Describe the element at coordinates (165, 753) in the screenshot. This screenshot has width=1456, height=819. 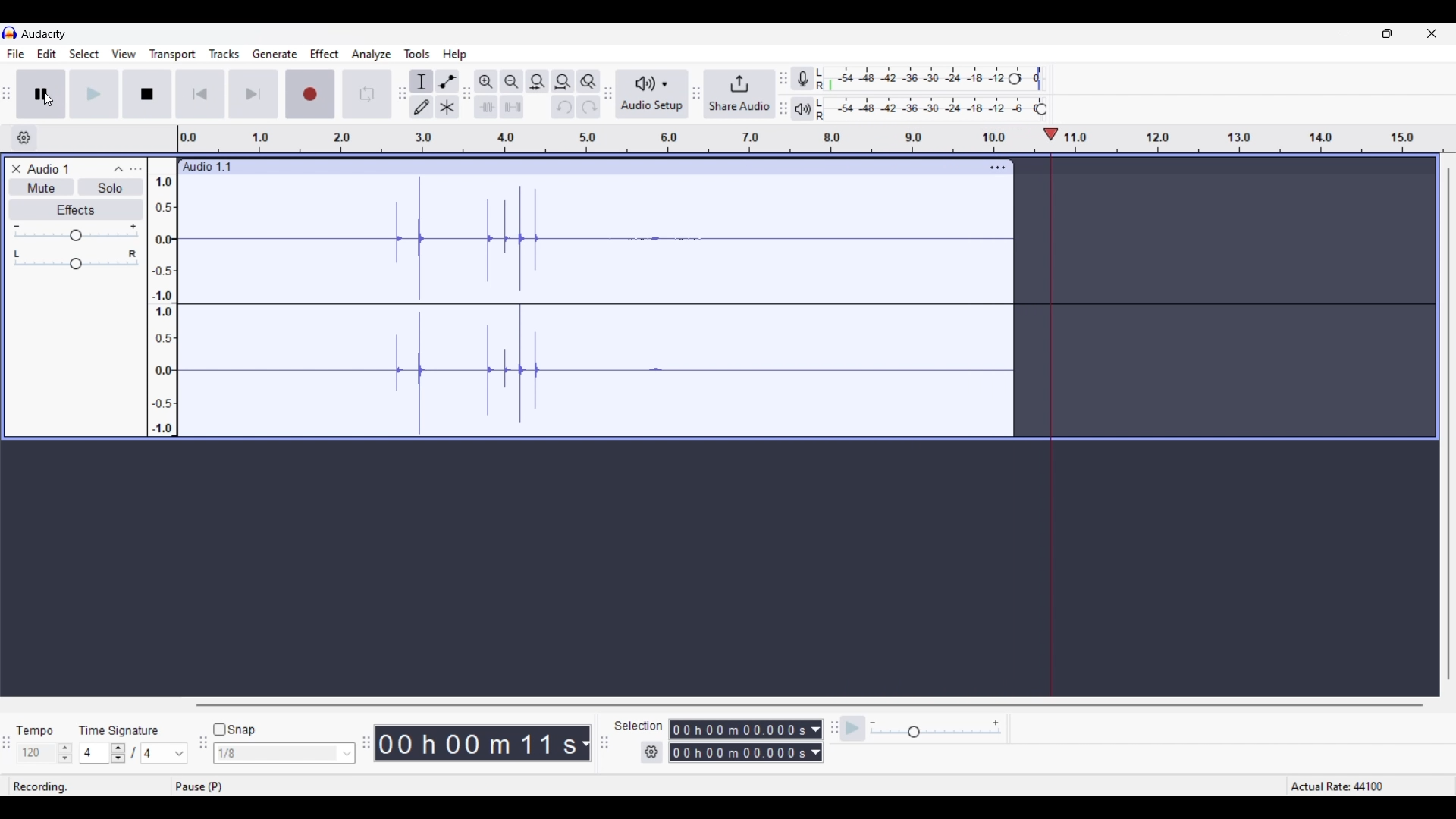
I see `4` at that location.